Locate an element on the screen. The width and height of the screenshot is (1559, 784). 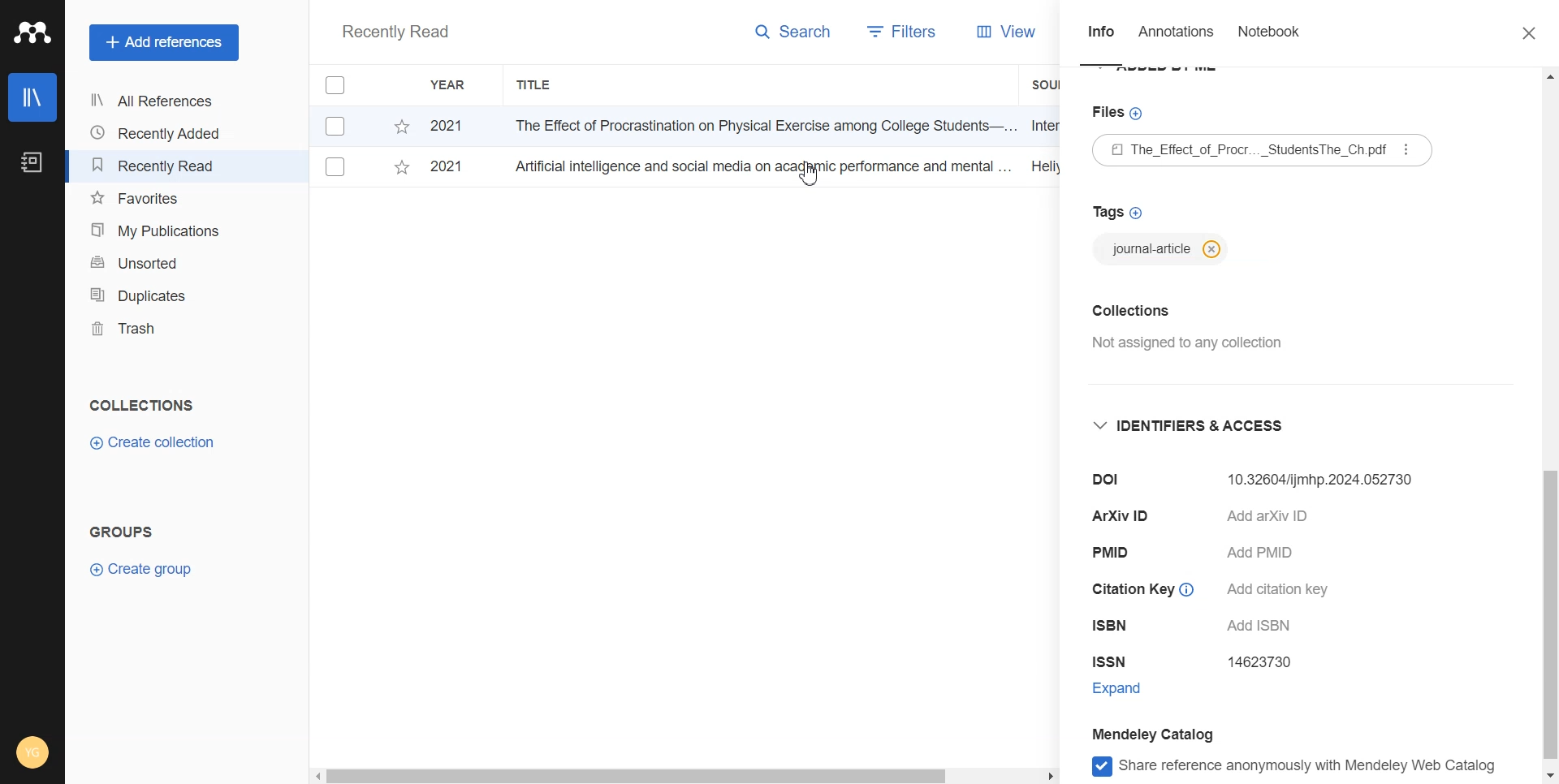
Collection  Not assigned to any collection is located at coordinates (1185, 334).